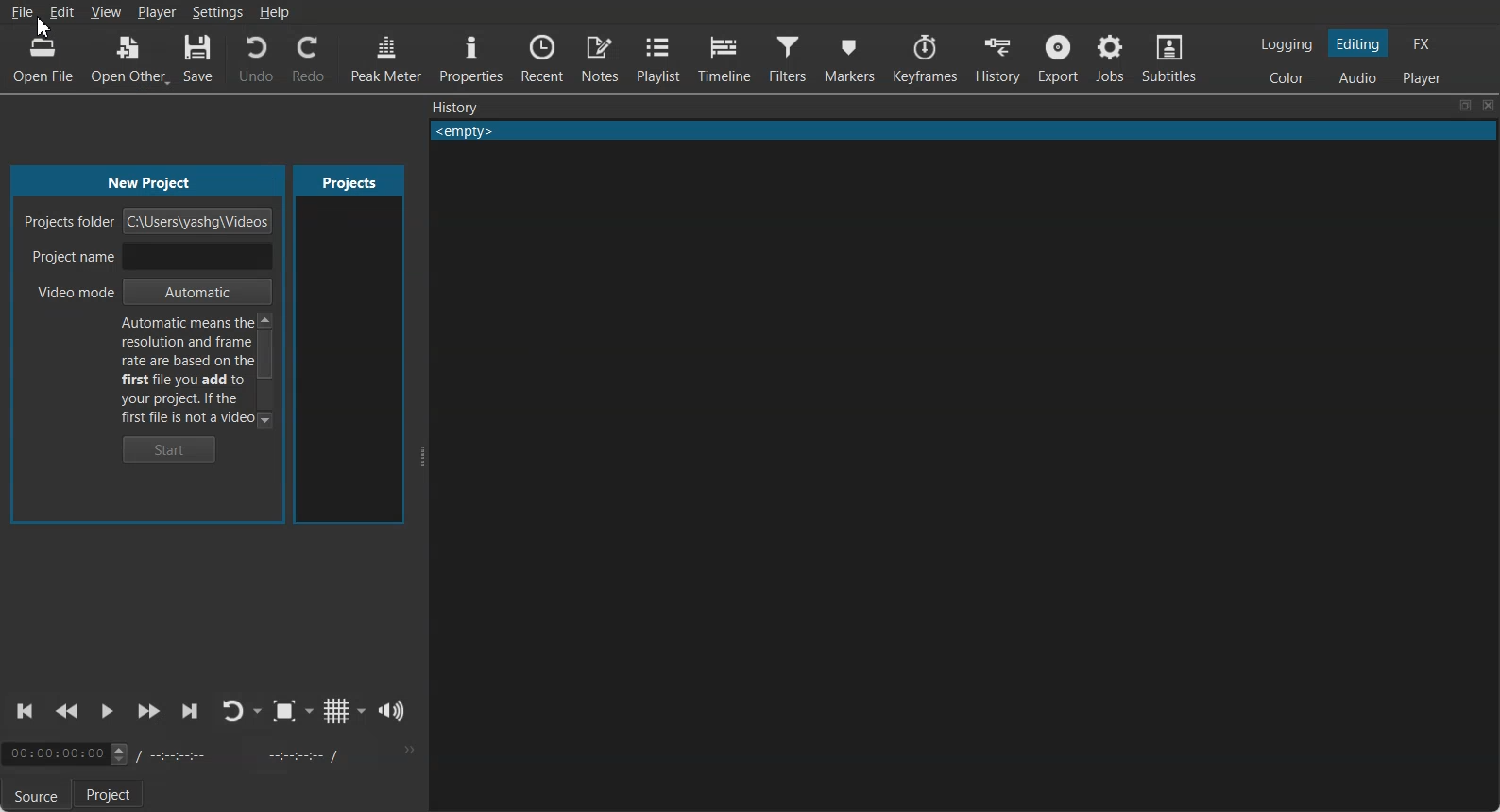 This screenshot has width=1500, height=812. What do you see at coordinates (335, 711) in the screenshot?
I see `Toggle grid display on the player` at bounding box center [335, 711].